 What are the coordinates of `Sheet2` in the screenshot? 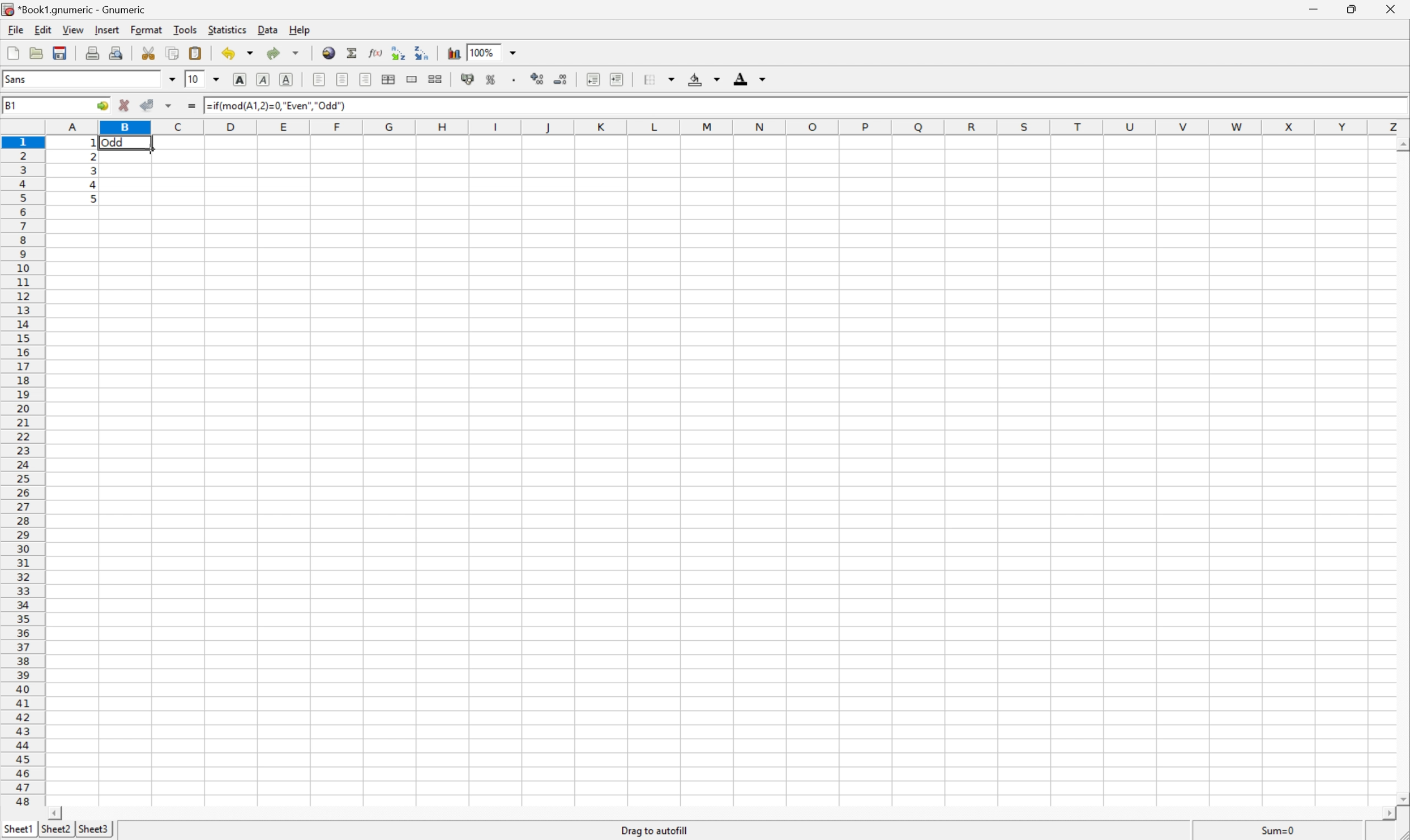 It's located at (57, 830).